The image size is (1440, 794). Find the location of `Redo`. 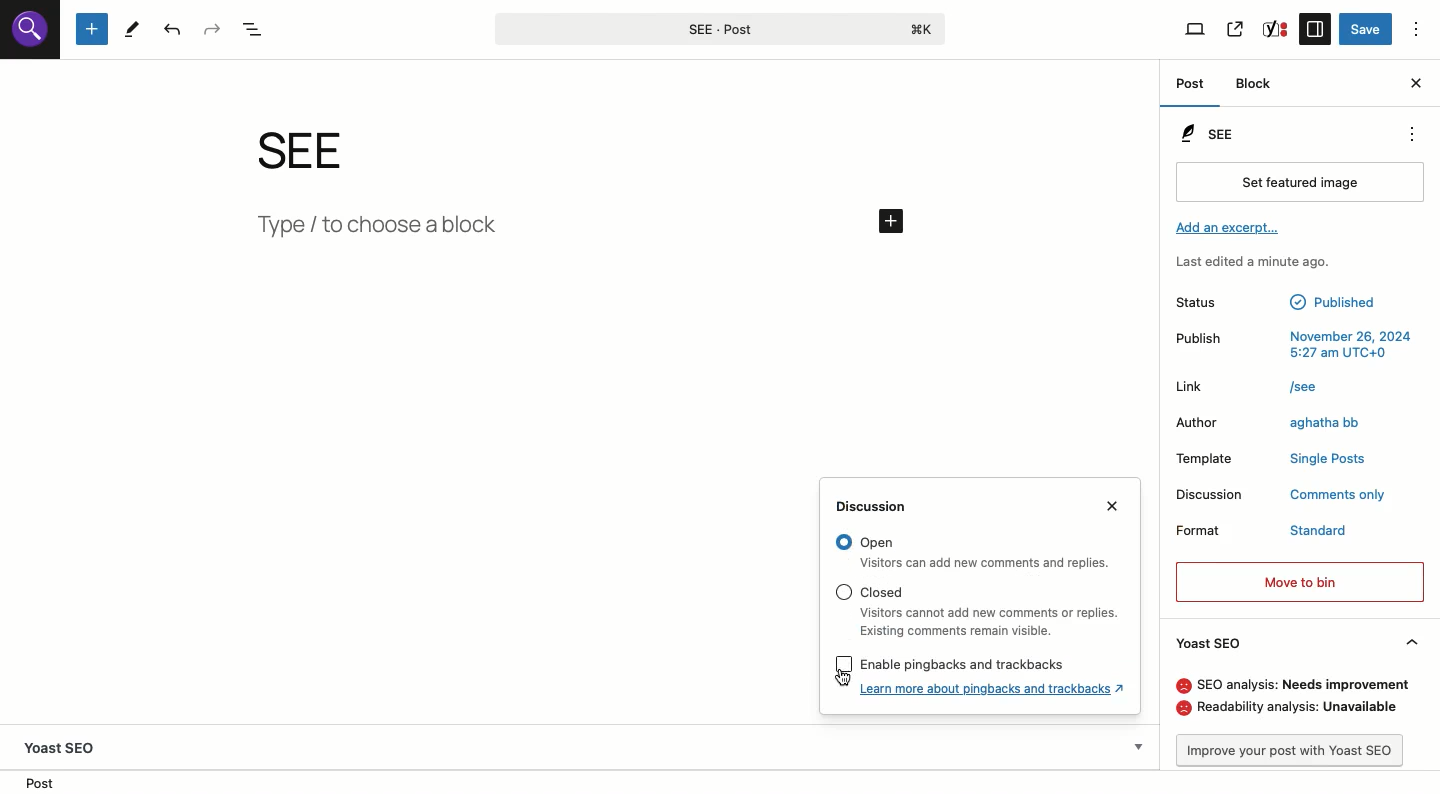

Redo is located at coordinates (212, 28).